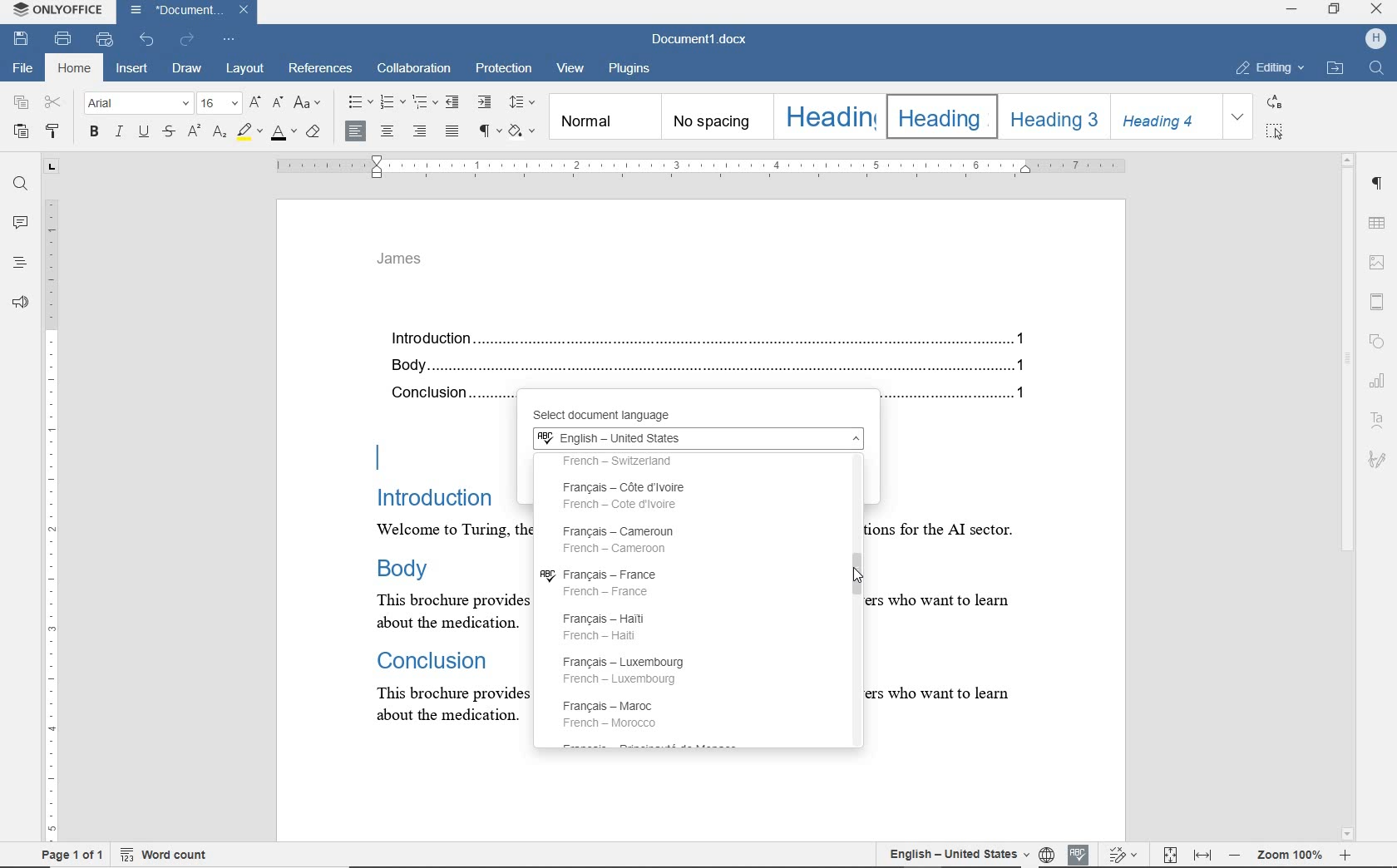  I want to click on Introduction.......................................................................................................................................1, so click(714, 340).